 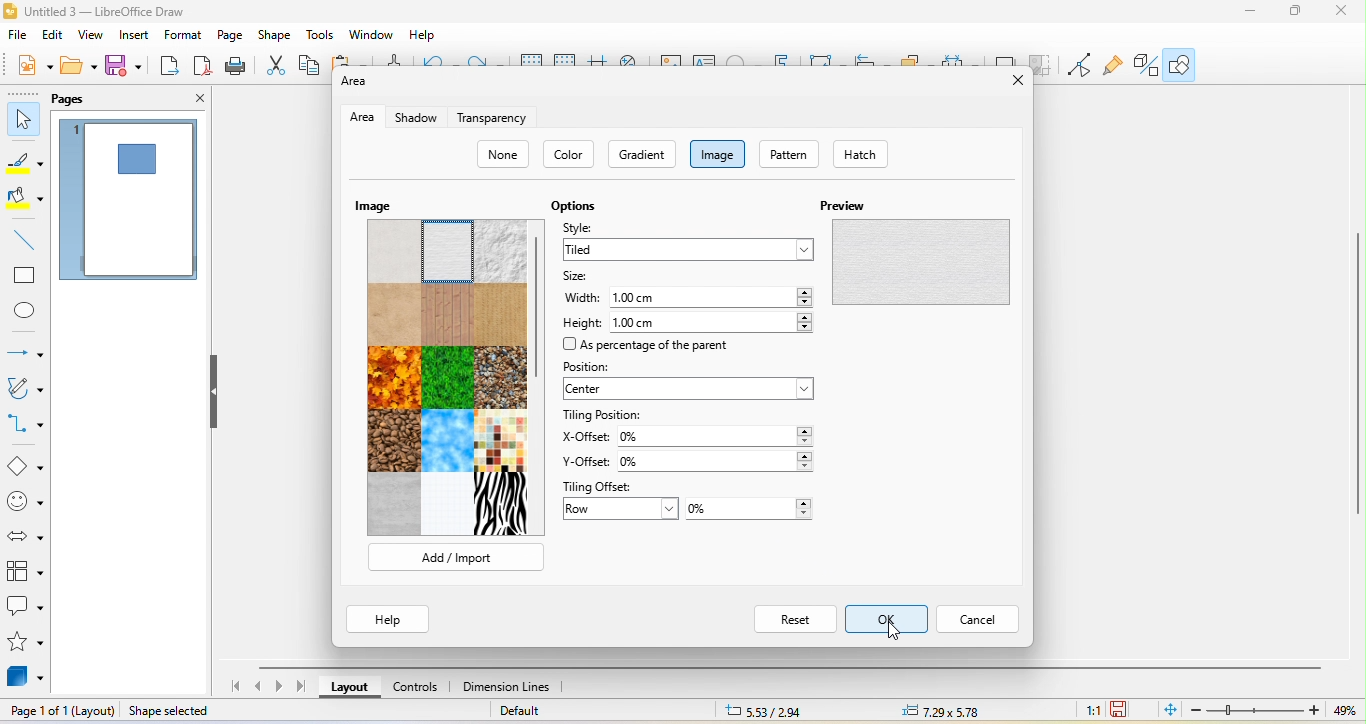 I want to click on 1.00 cm, so click(x=713, y=320).